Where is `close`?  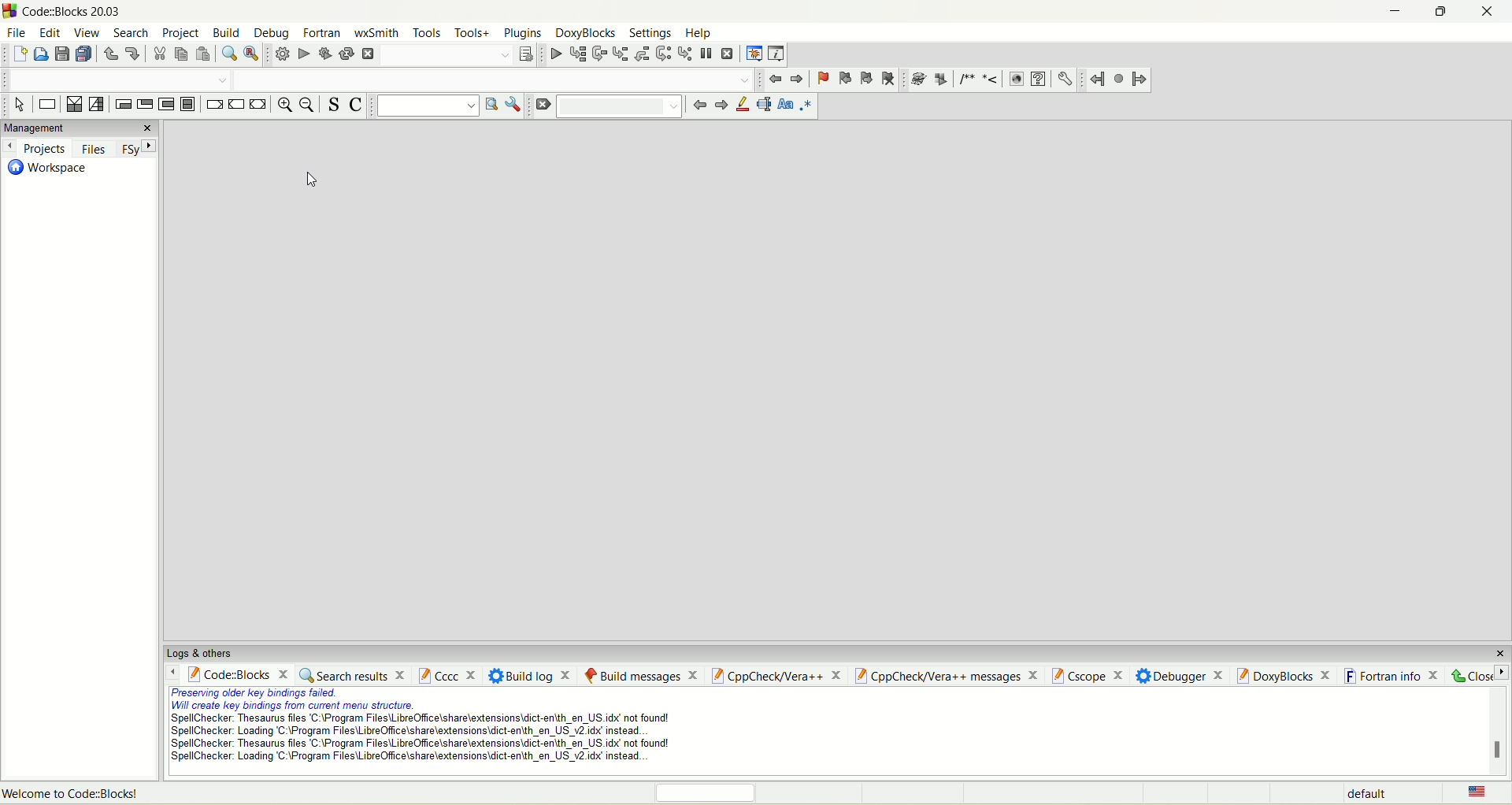
close is located at coordinates (1495, 649).